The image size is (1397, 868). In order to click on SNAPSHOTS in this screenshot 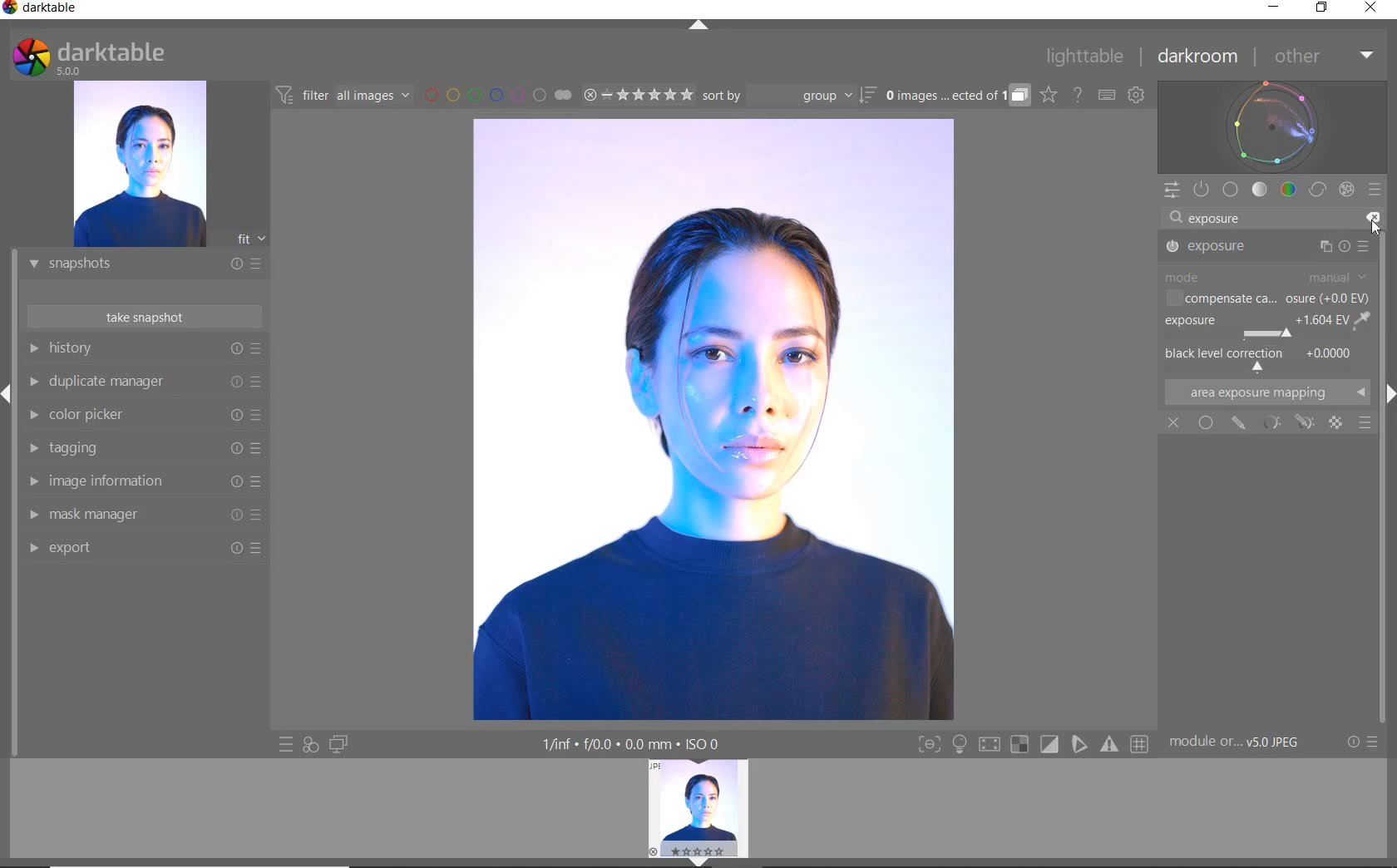, I will do `click(138, 265)`.